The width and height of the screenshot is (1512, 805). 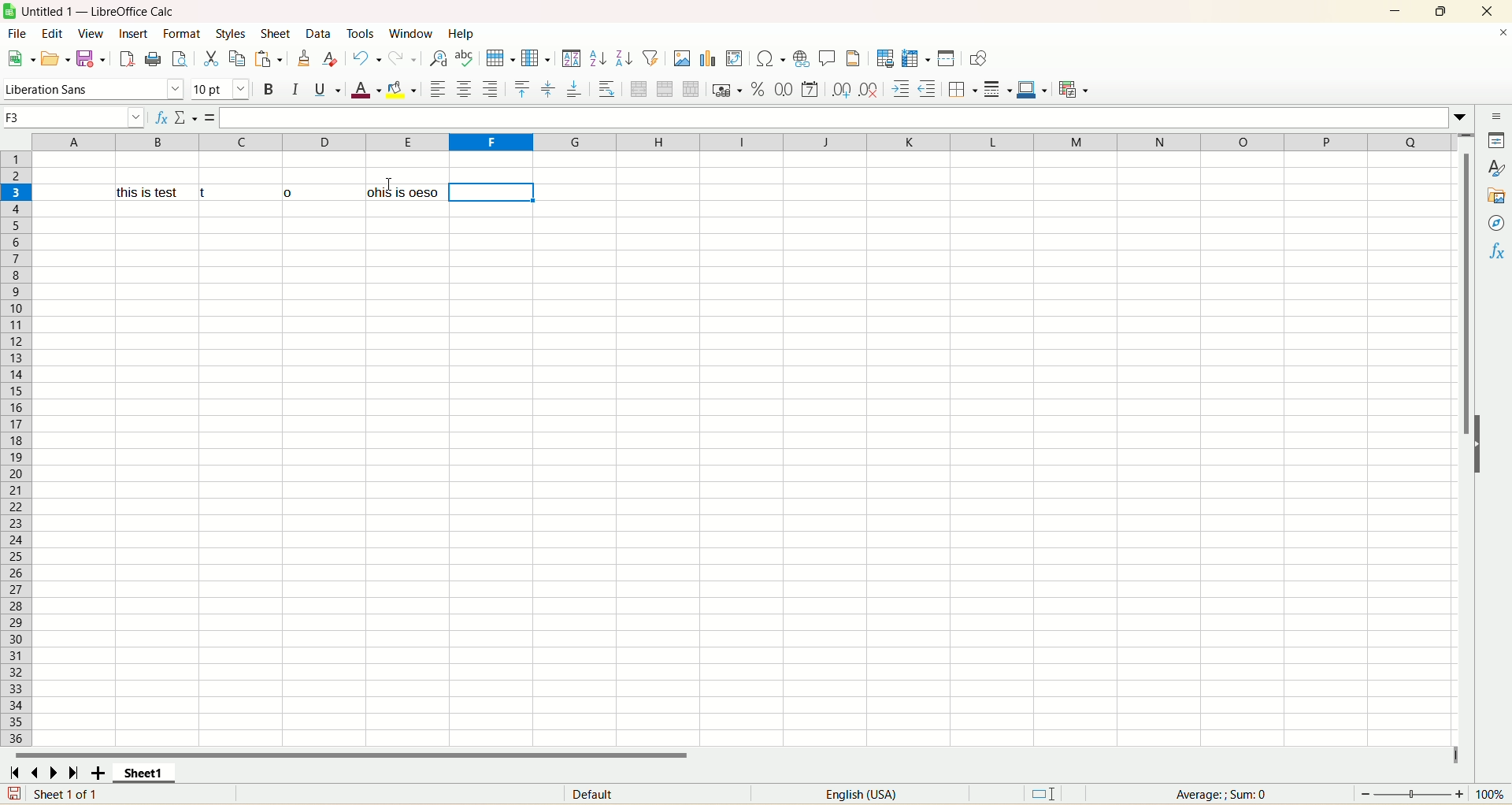 What do you see at coordinates (1218, 794) in the screenshot?
I see `average` at bounding box center [1218, 794].